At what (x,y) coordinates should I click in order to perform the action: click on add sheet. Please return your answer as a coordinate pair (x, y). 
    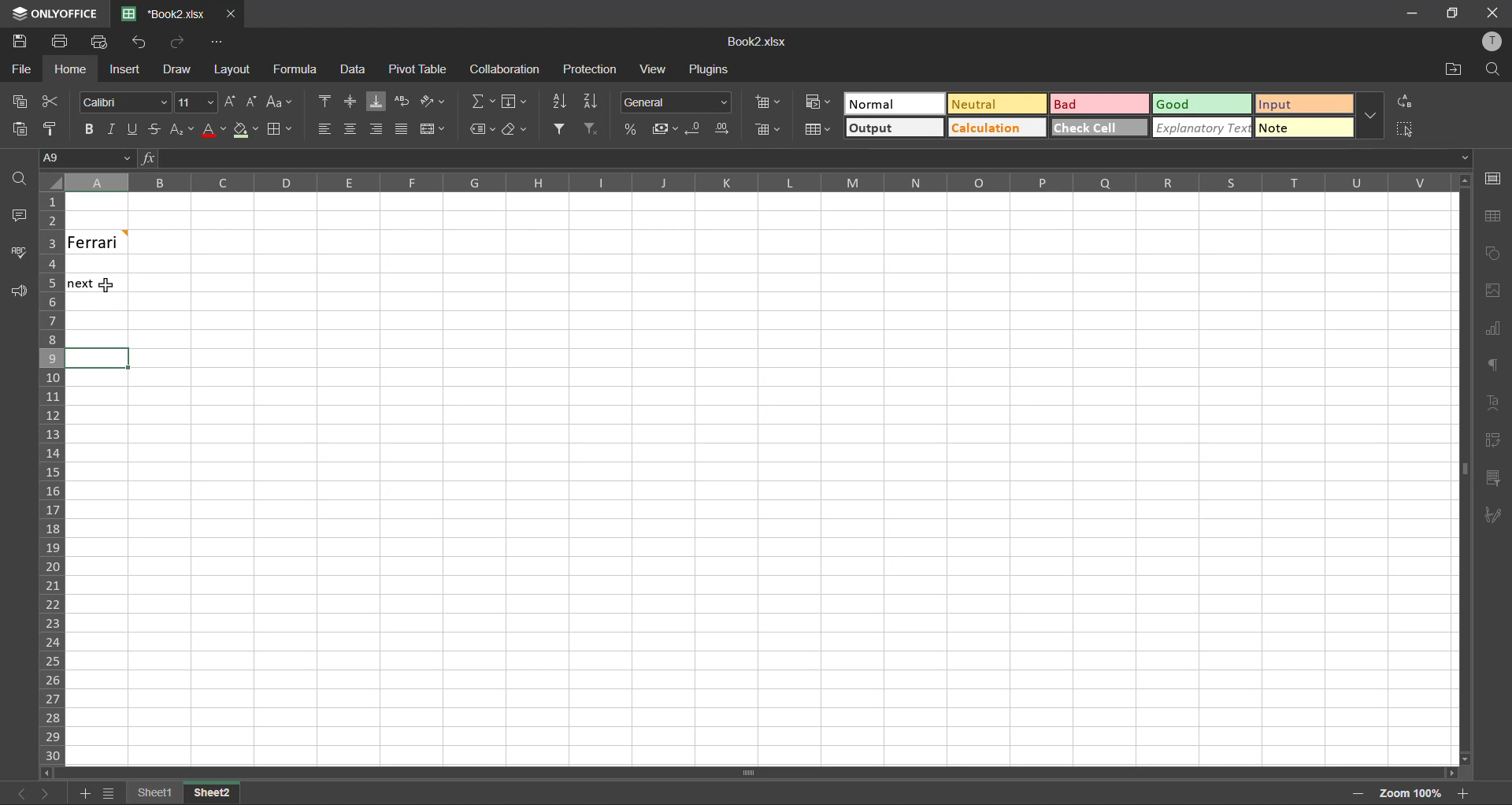
    Looking at the image, I should click on (86, 793).